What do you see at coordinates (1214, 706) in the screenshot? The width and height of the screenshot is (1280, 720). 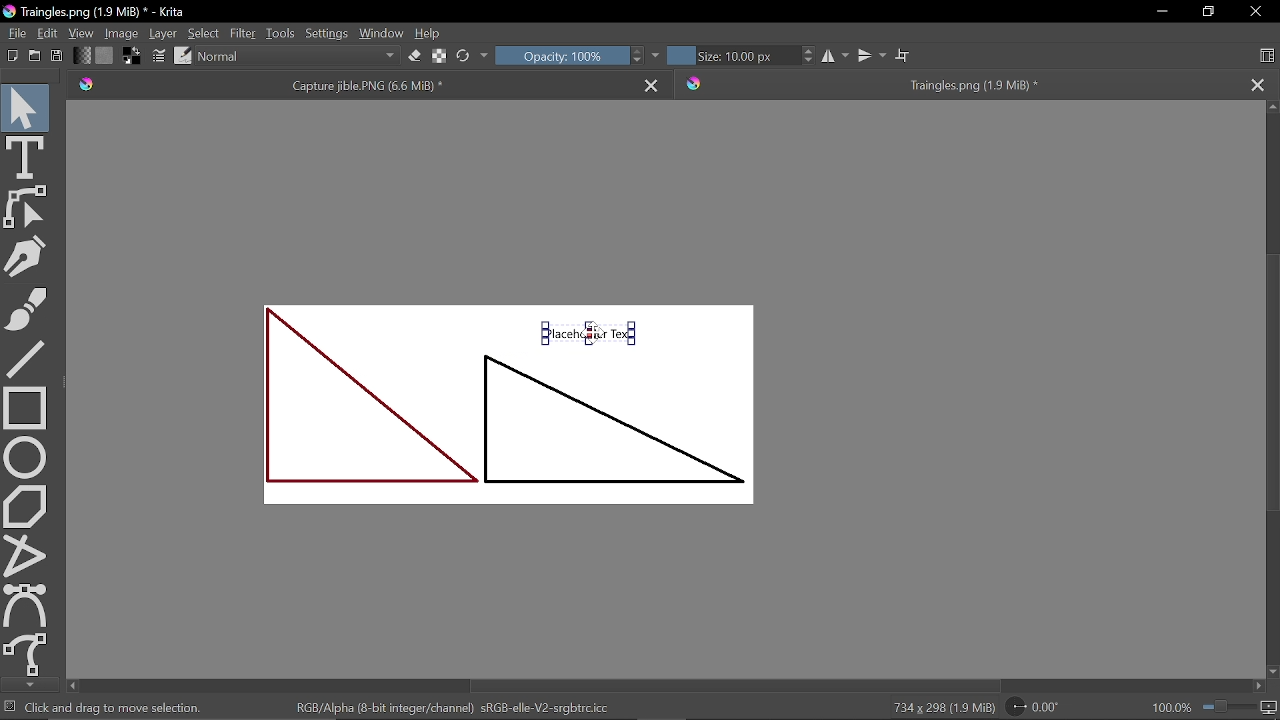 I see `100.0%` at bounding box center [1214, 706].